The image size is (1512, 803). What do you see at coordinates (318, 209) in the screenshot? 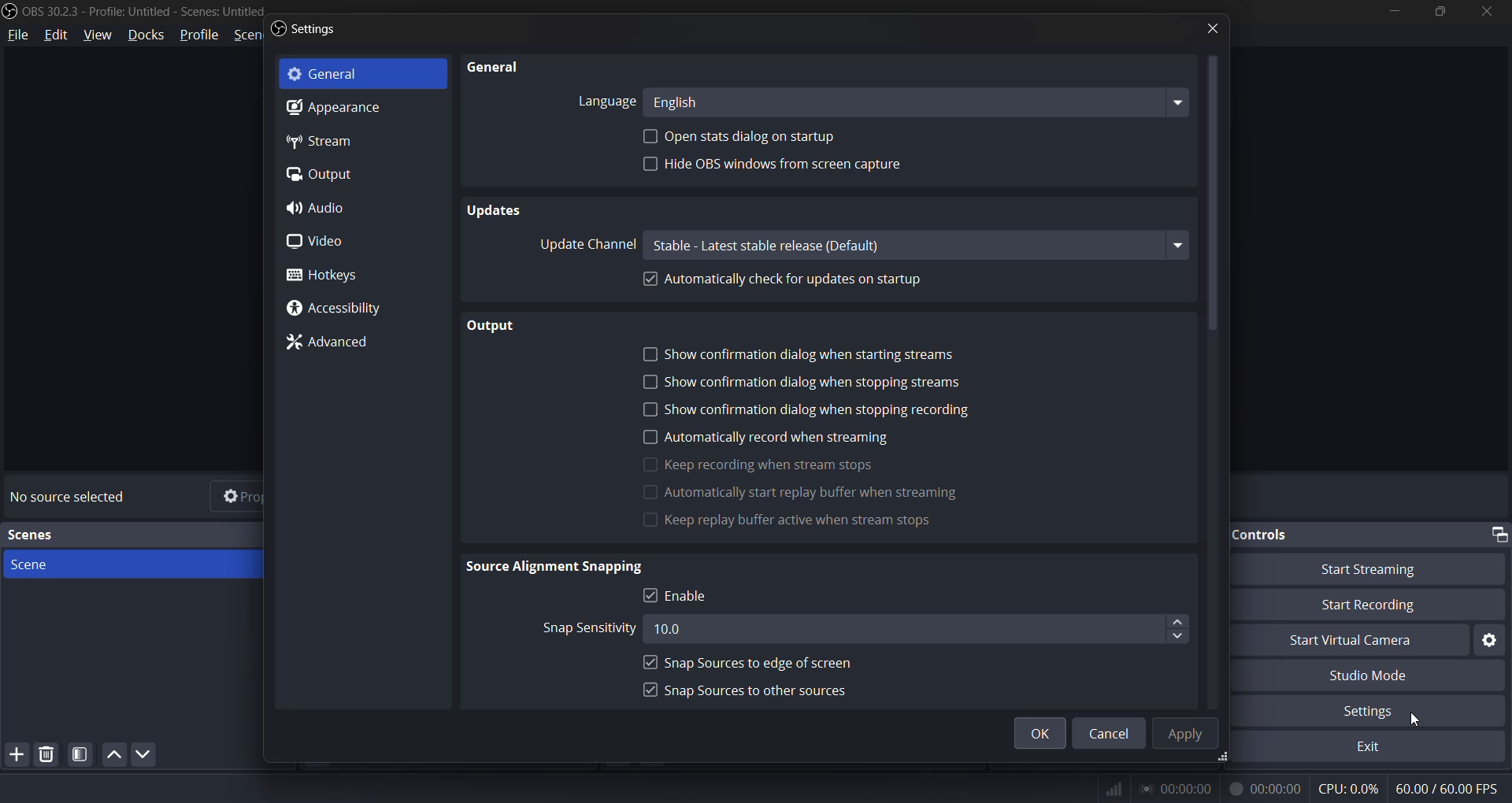
I see `audio` at bounding box center [318, 209].